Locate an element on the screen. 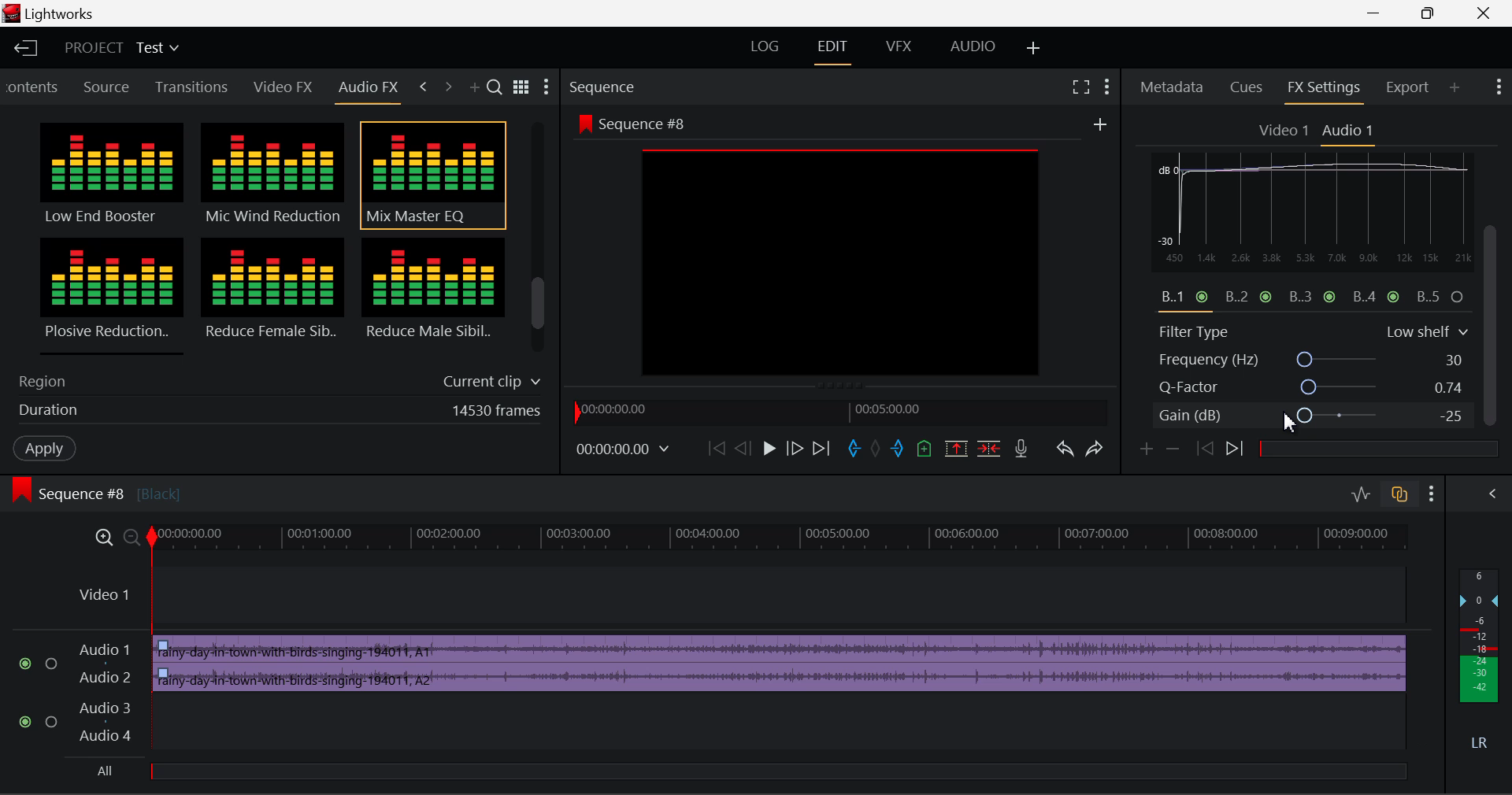  Previous Tab is located at coordinates (424, 84).